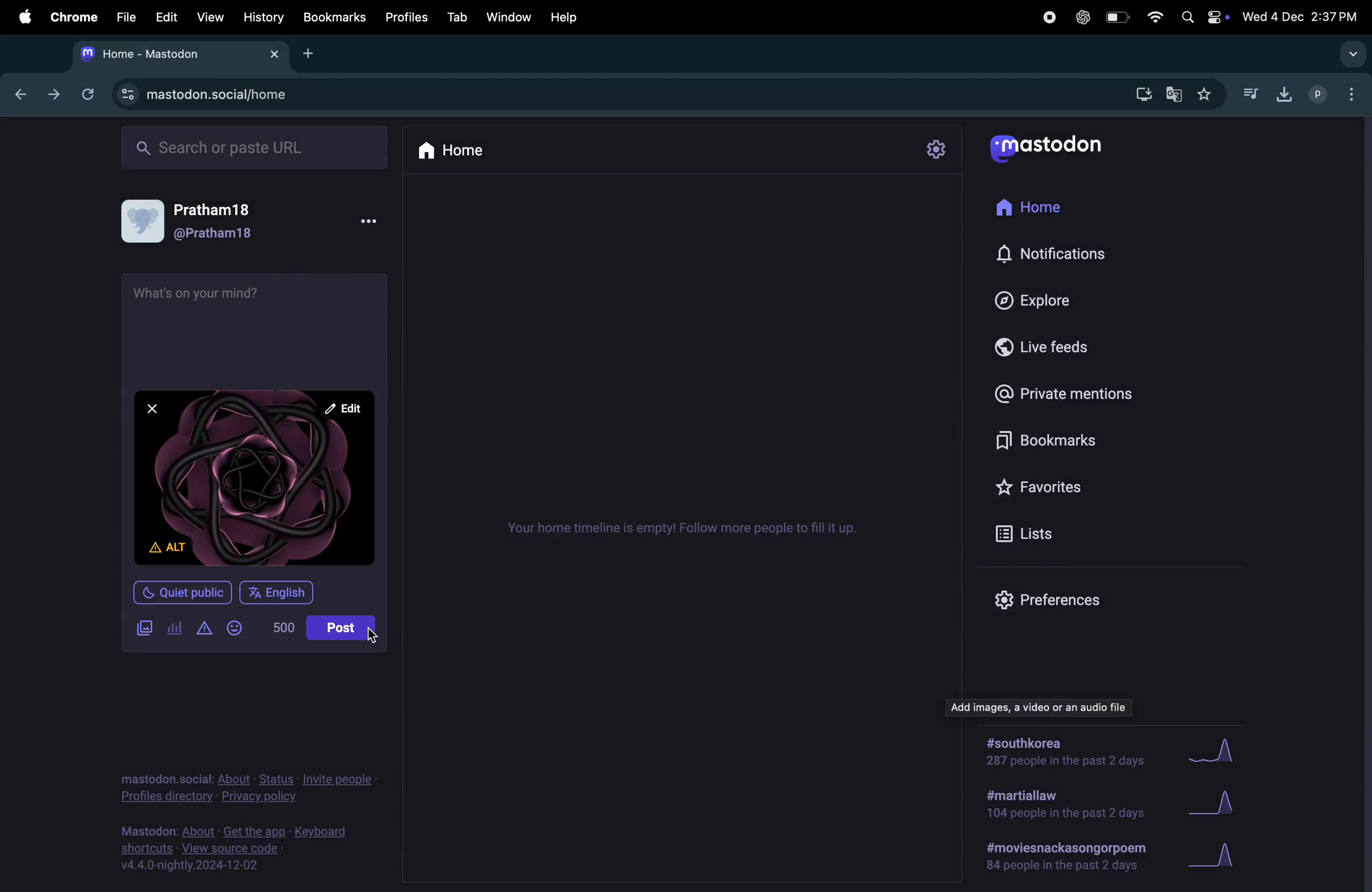 This screenshot has height=892, width=1372. What do you see at coordinates (1058, 255) in the screenshot?
I see `notifications` at bounding box center [1058, 255].